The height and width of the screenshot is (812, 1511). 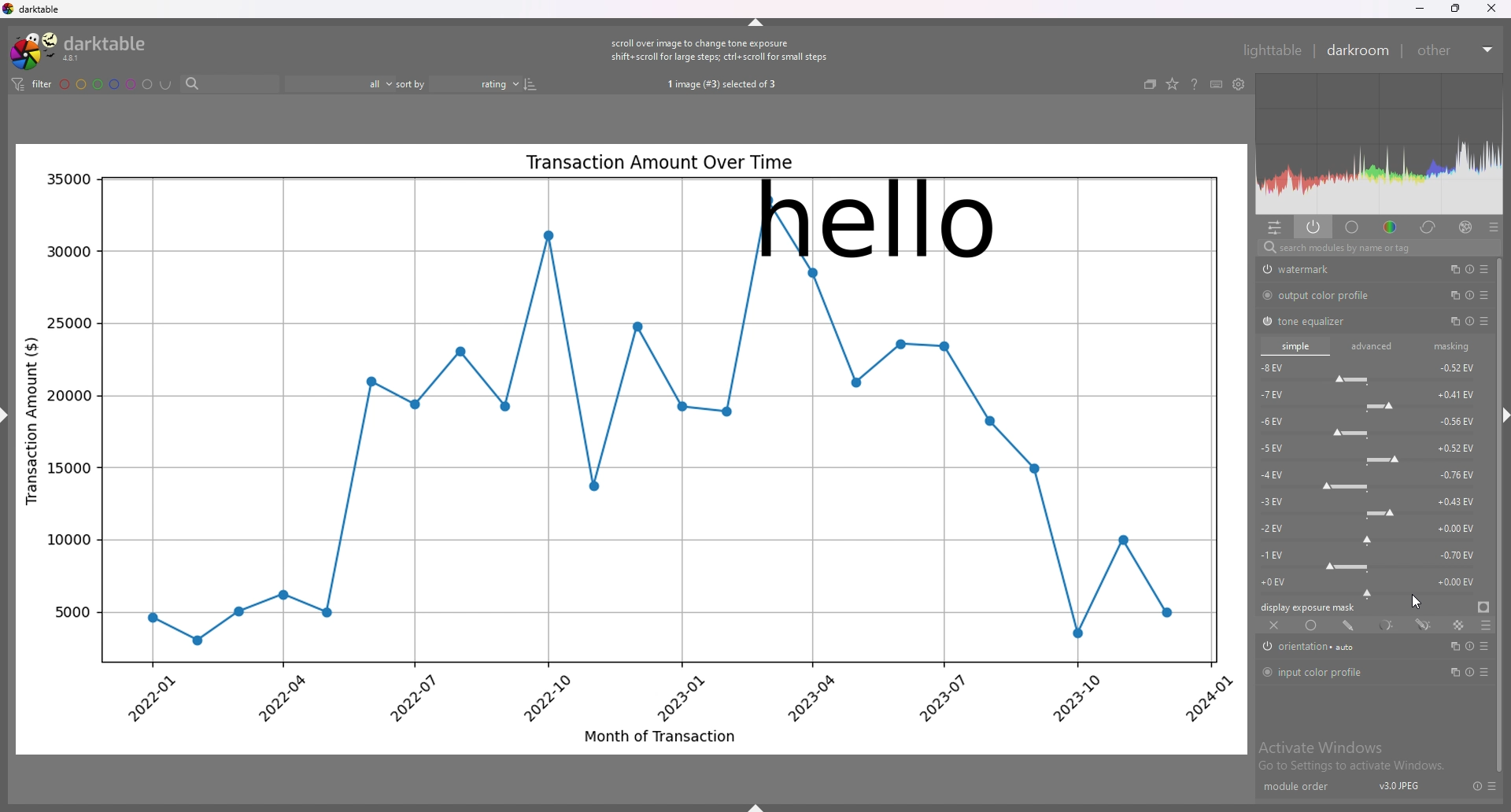 I want to click on swtich off/on, so click(x=1265, y=269).